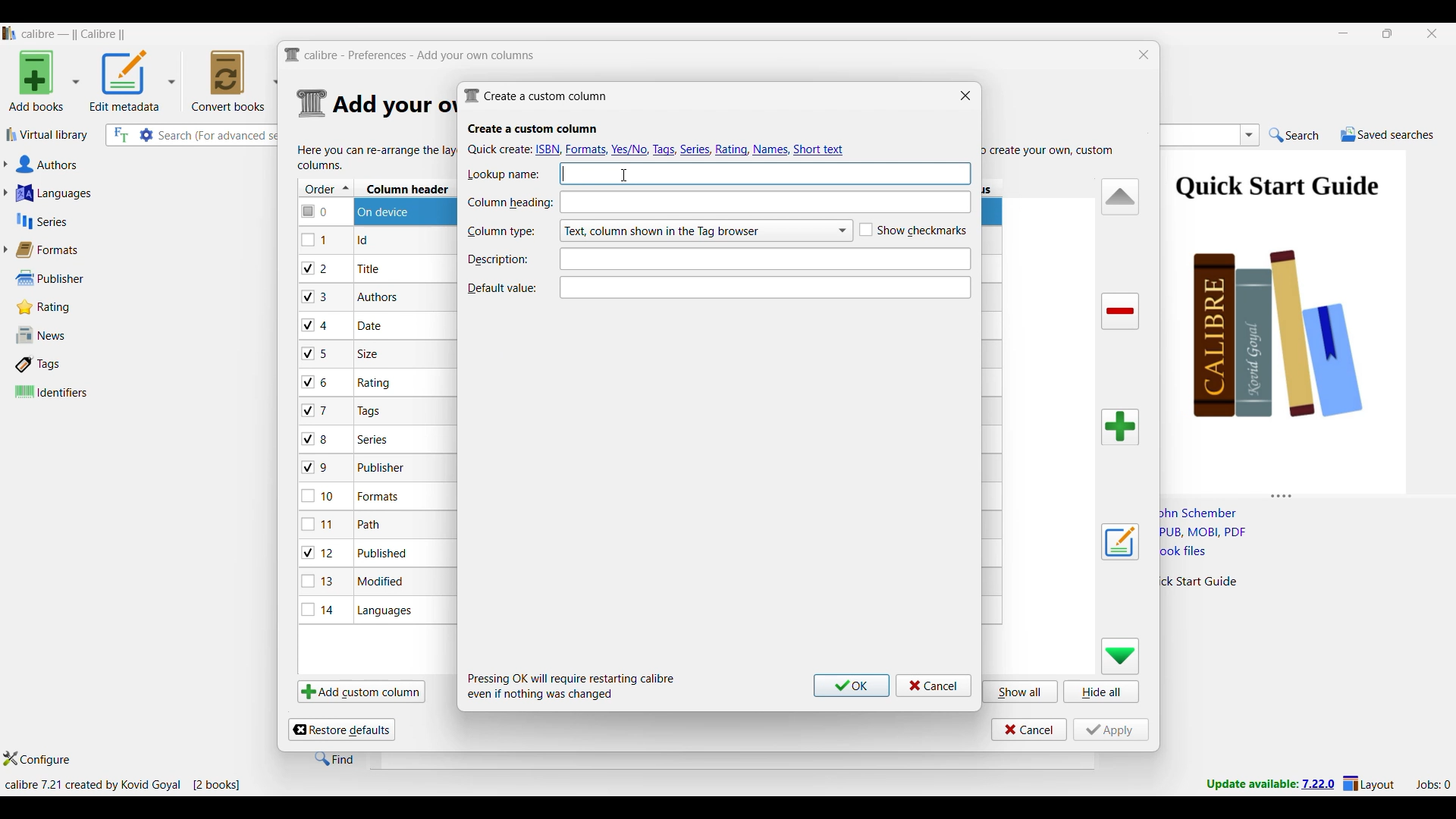  Describe the element at coordinates (913, 231) in the screenshot. I see `Toggle for Show checkmarks` at that location.